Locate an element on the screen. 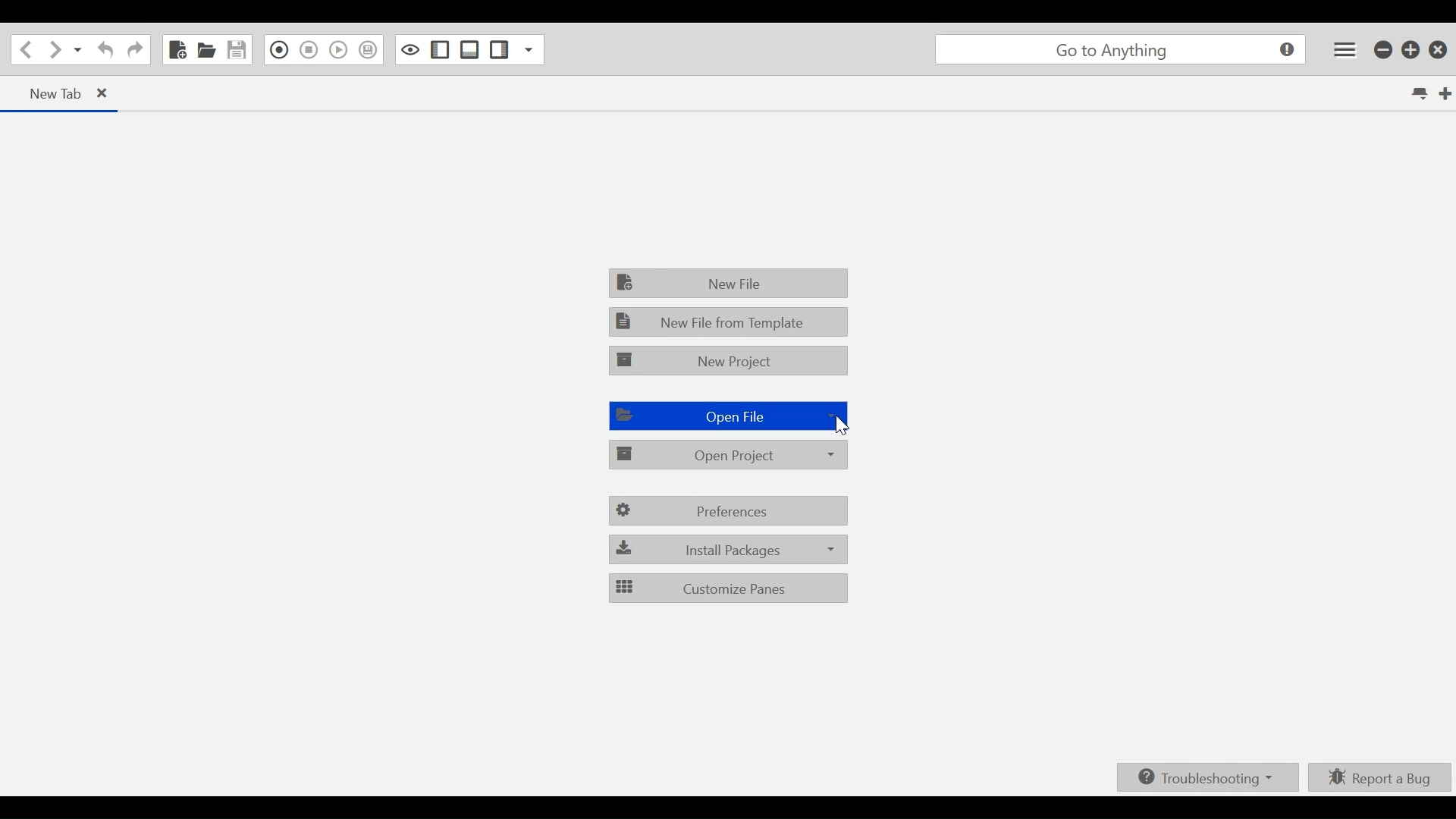 Image resolution: width=1456 pixels, height=819 pixels. Application menu is located at coordinates (1346, 50).